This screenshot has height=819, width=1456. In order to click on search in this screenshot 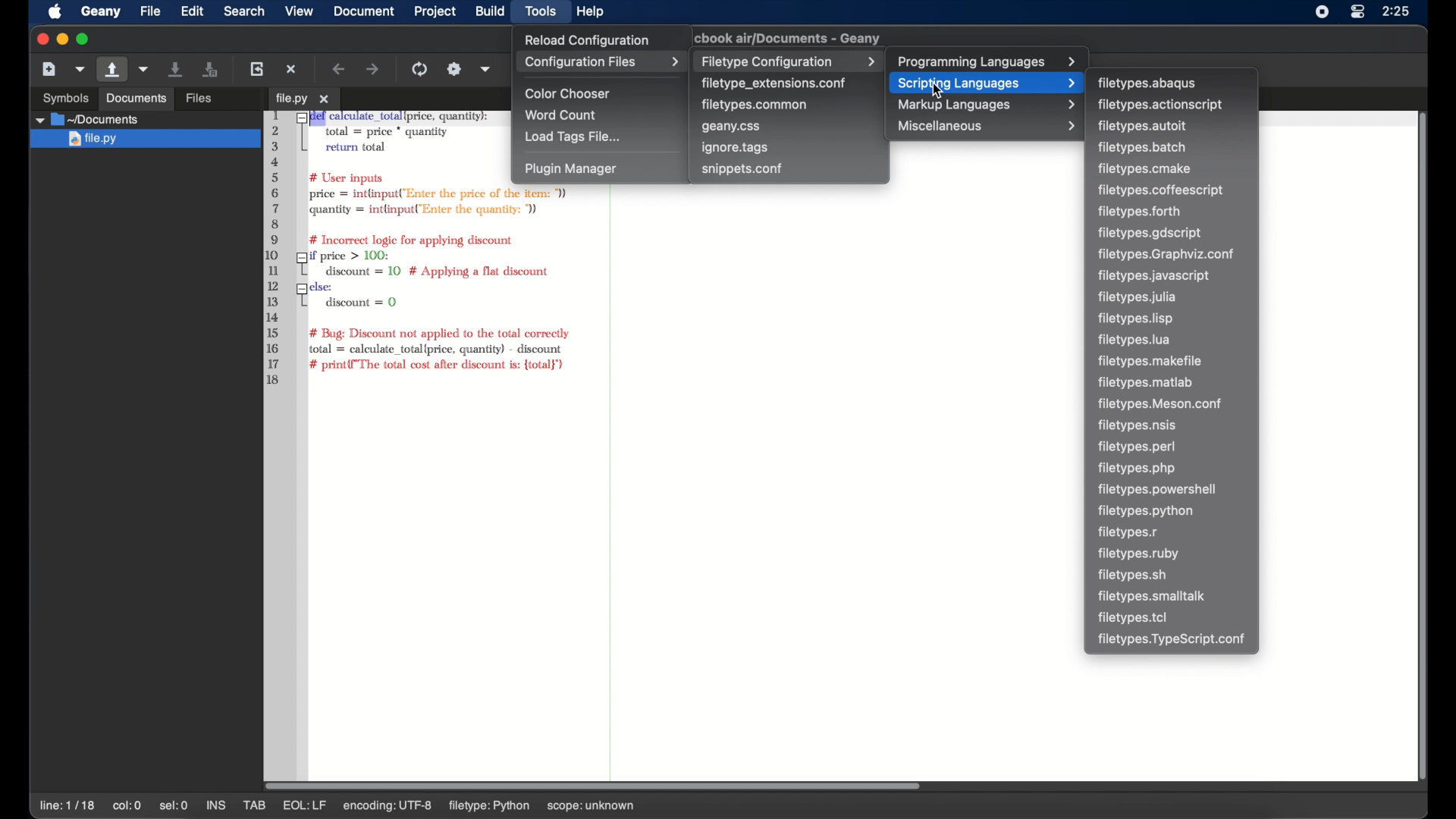, I will do `click(244, 11)`.